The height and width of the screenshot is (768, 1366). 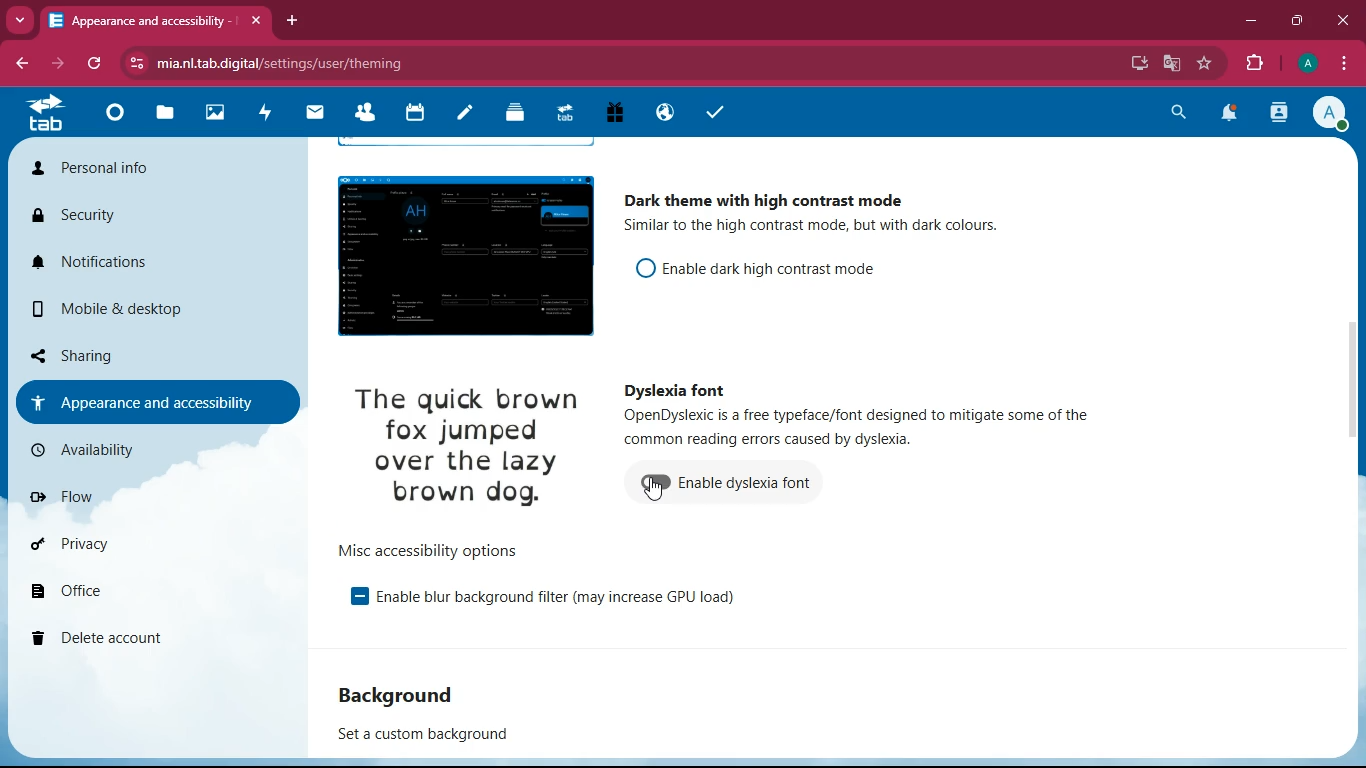 I want to click on description, so click(x=857, y=430).